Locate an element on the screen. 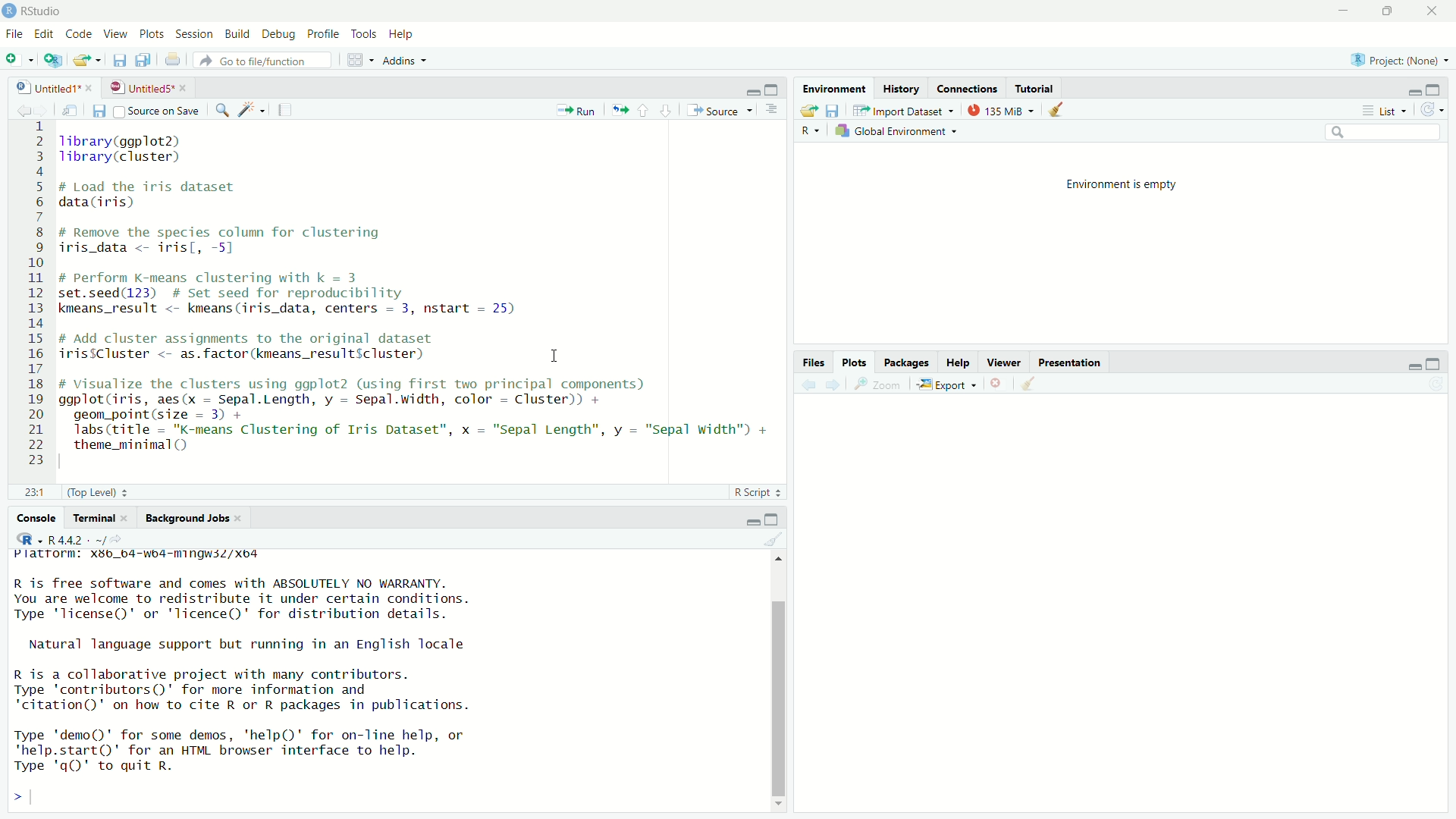 The height and width of the screenshot is (819, 1456). workspace panes is located at coordinates (358, 60).